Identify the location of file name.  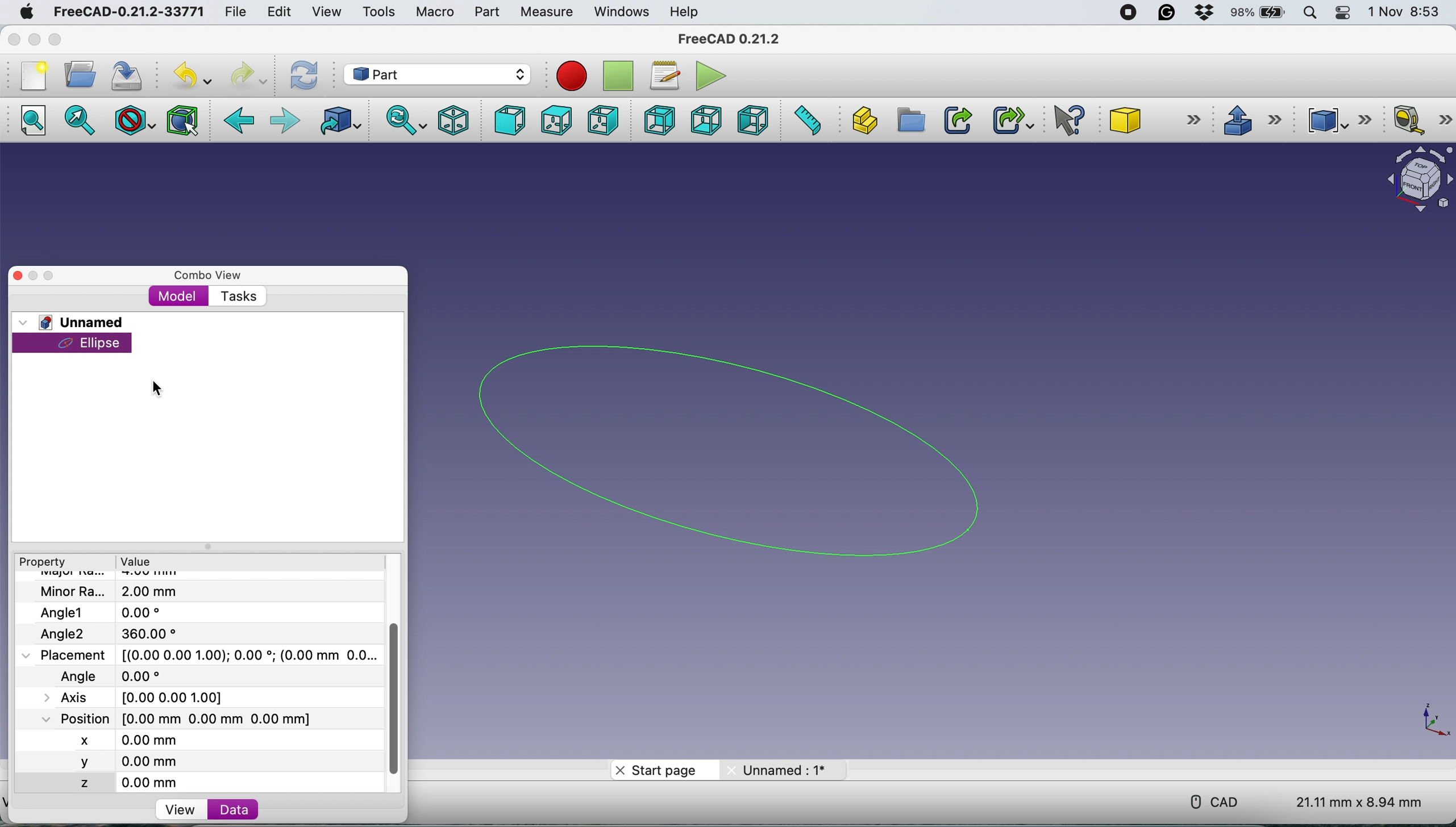
(115, 592).